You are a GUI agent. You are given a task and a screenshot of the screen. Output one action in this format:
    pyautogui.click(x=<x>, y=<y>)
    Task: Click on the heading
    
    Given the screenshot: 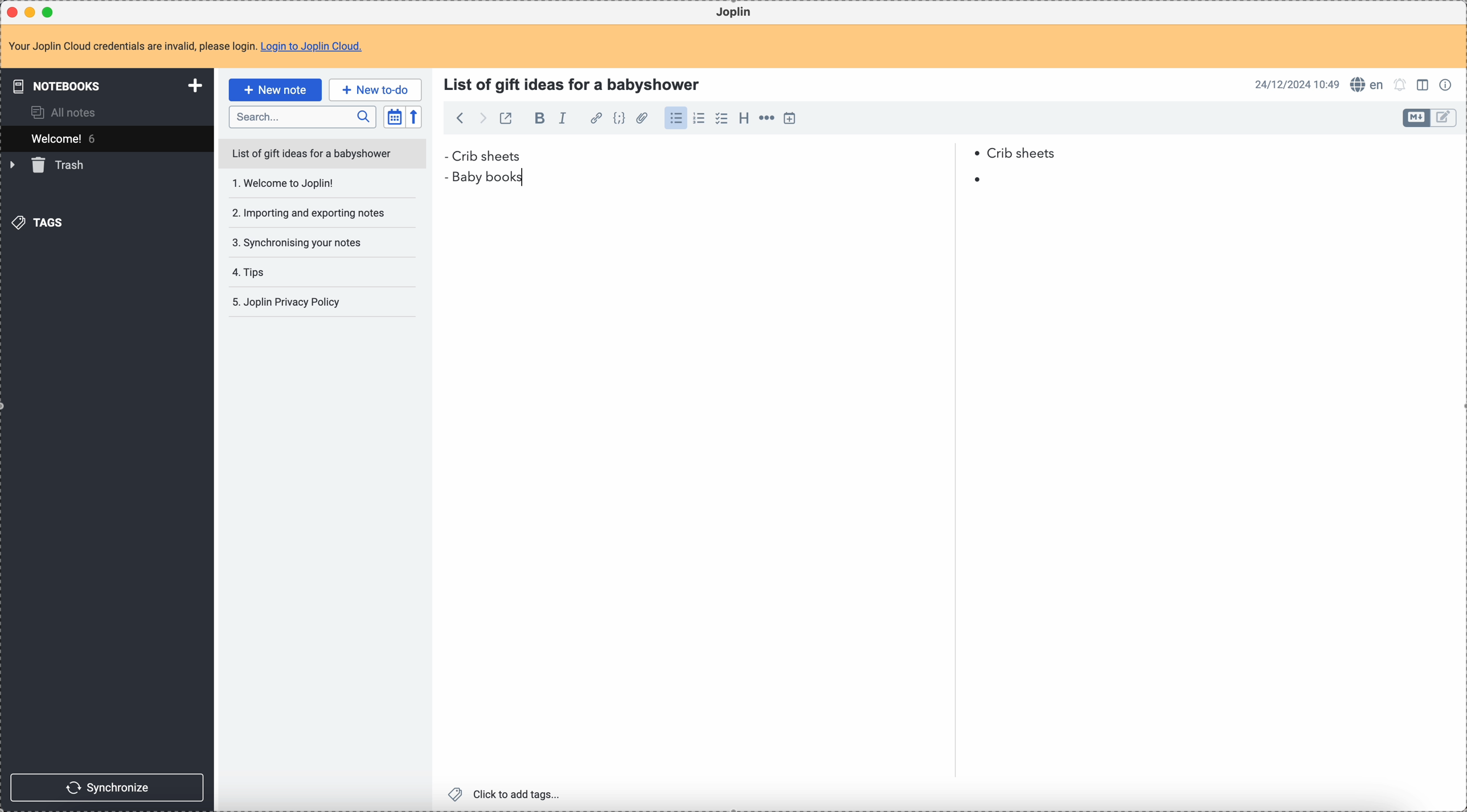 What is the action you would take?
    pyautogui.click(x=744, y=121)
    